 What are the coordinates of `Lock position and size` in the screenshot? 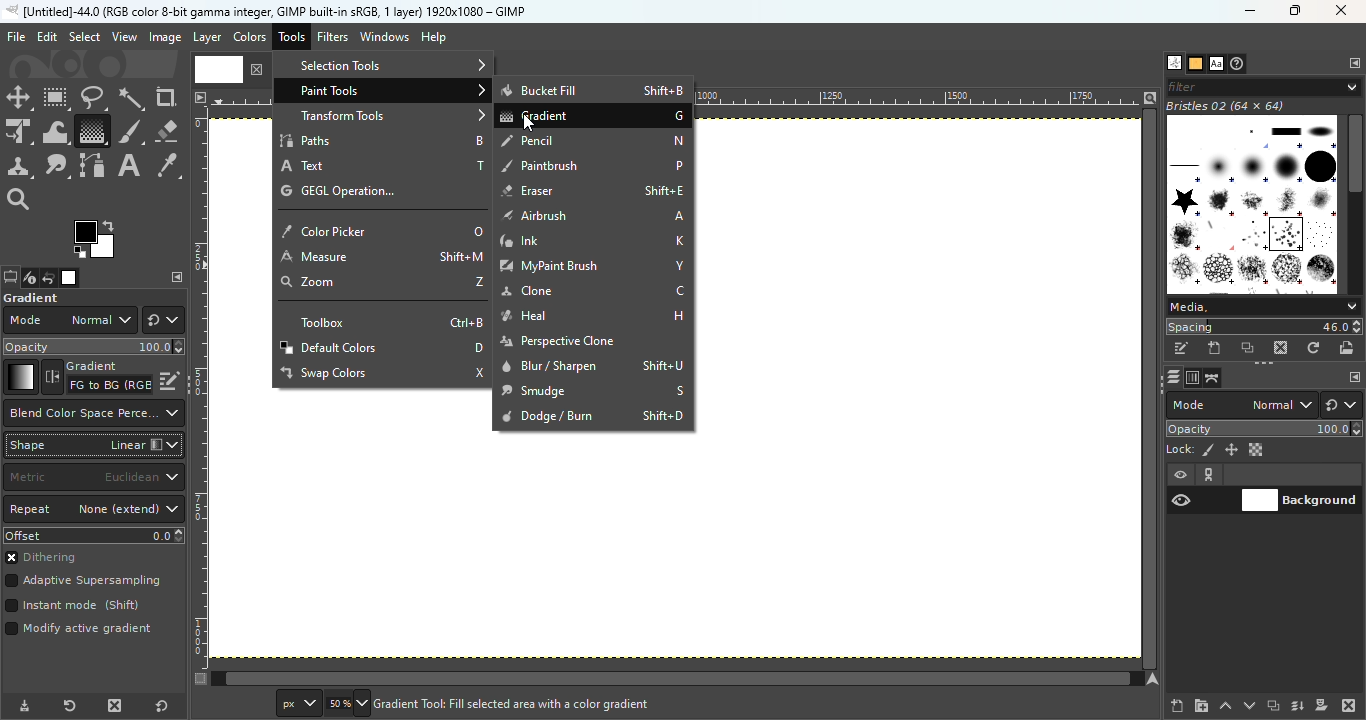 It's located at (1230, 449).